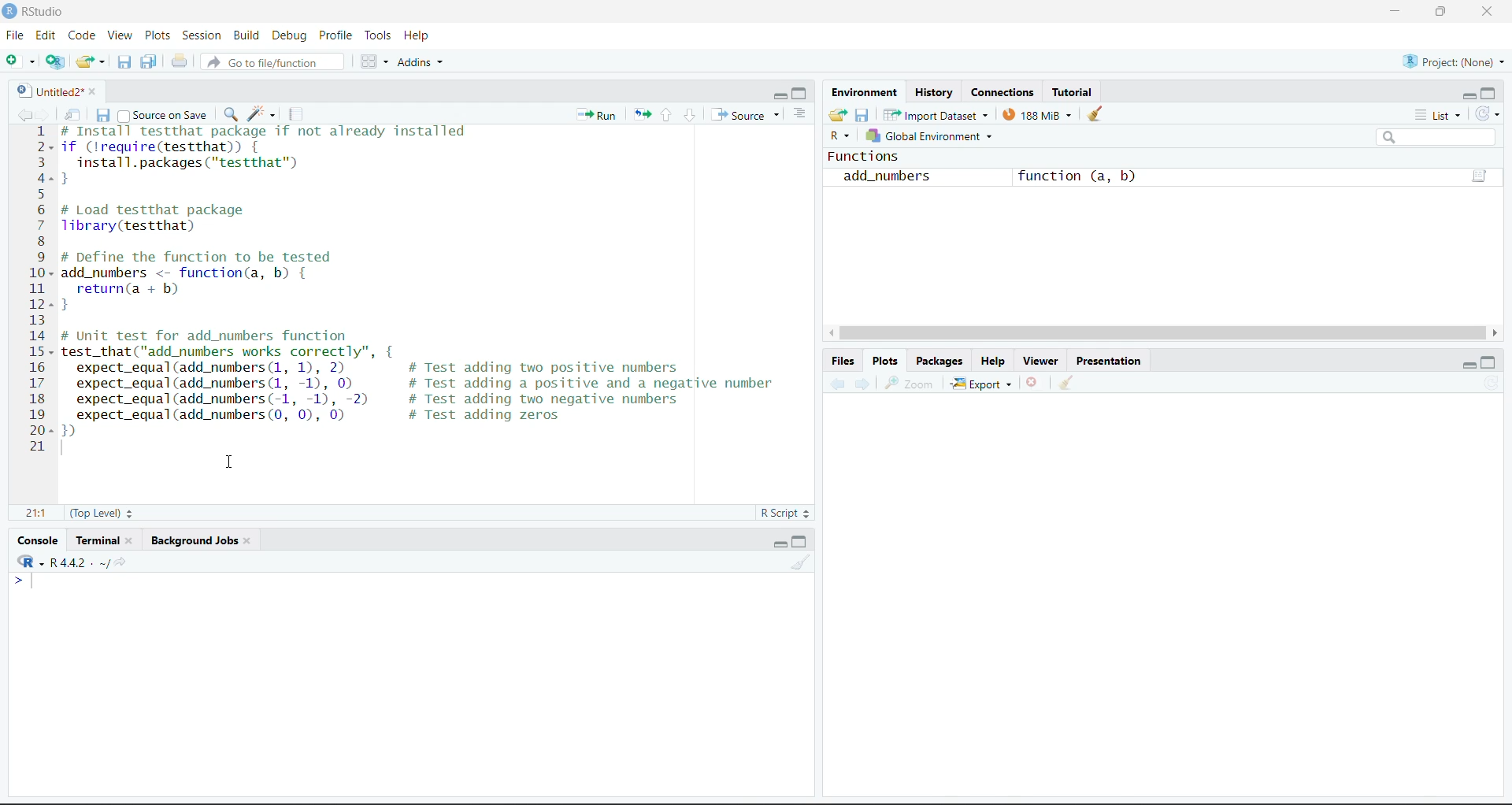  Describe the element at coordinates (1489, 12) in the screenshot. I see `close` at that location.